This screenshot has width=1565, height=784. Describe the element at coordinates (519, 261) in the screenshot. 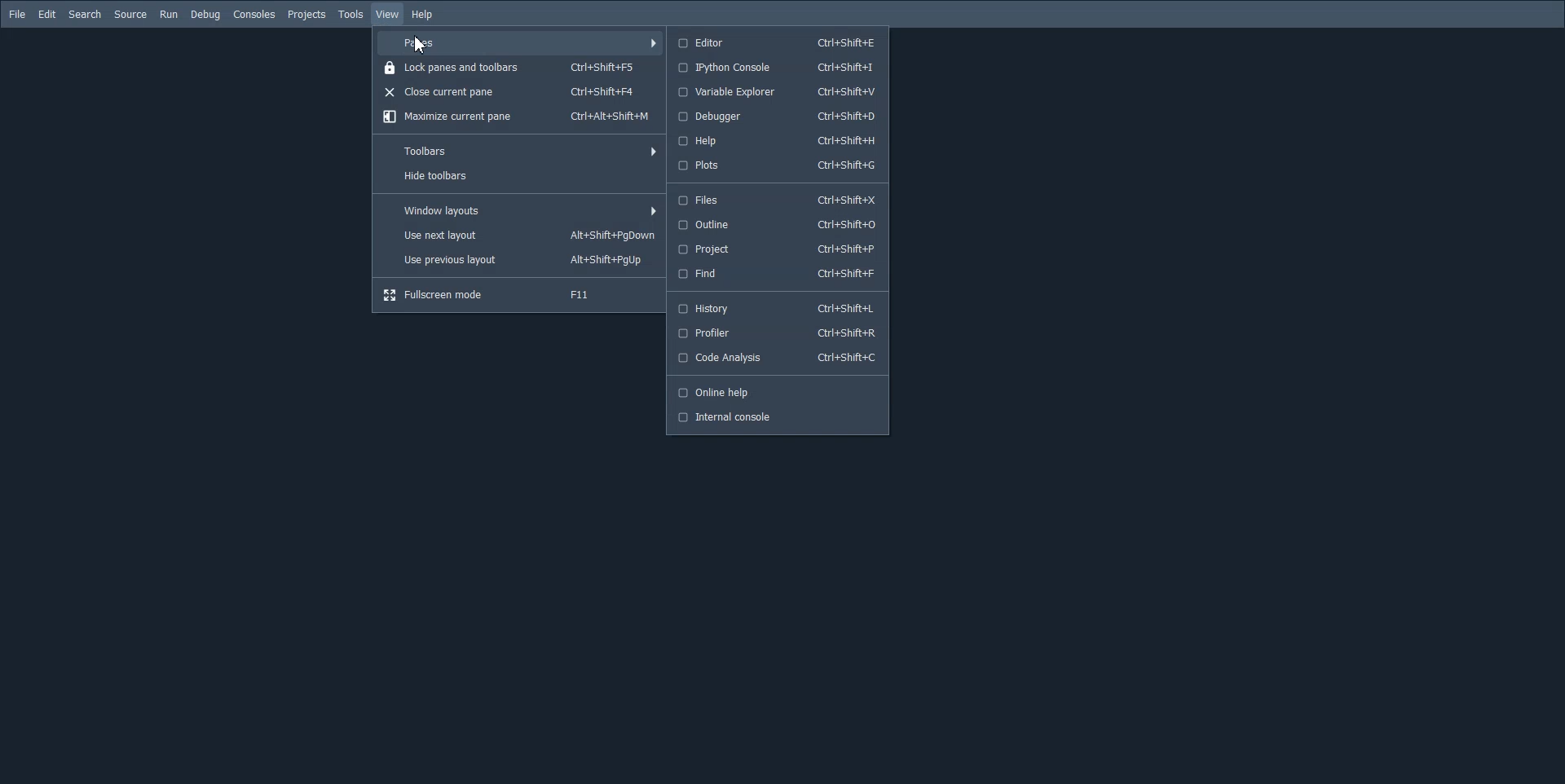

I see `Use previous layout` at that location.